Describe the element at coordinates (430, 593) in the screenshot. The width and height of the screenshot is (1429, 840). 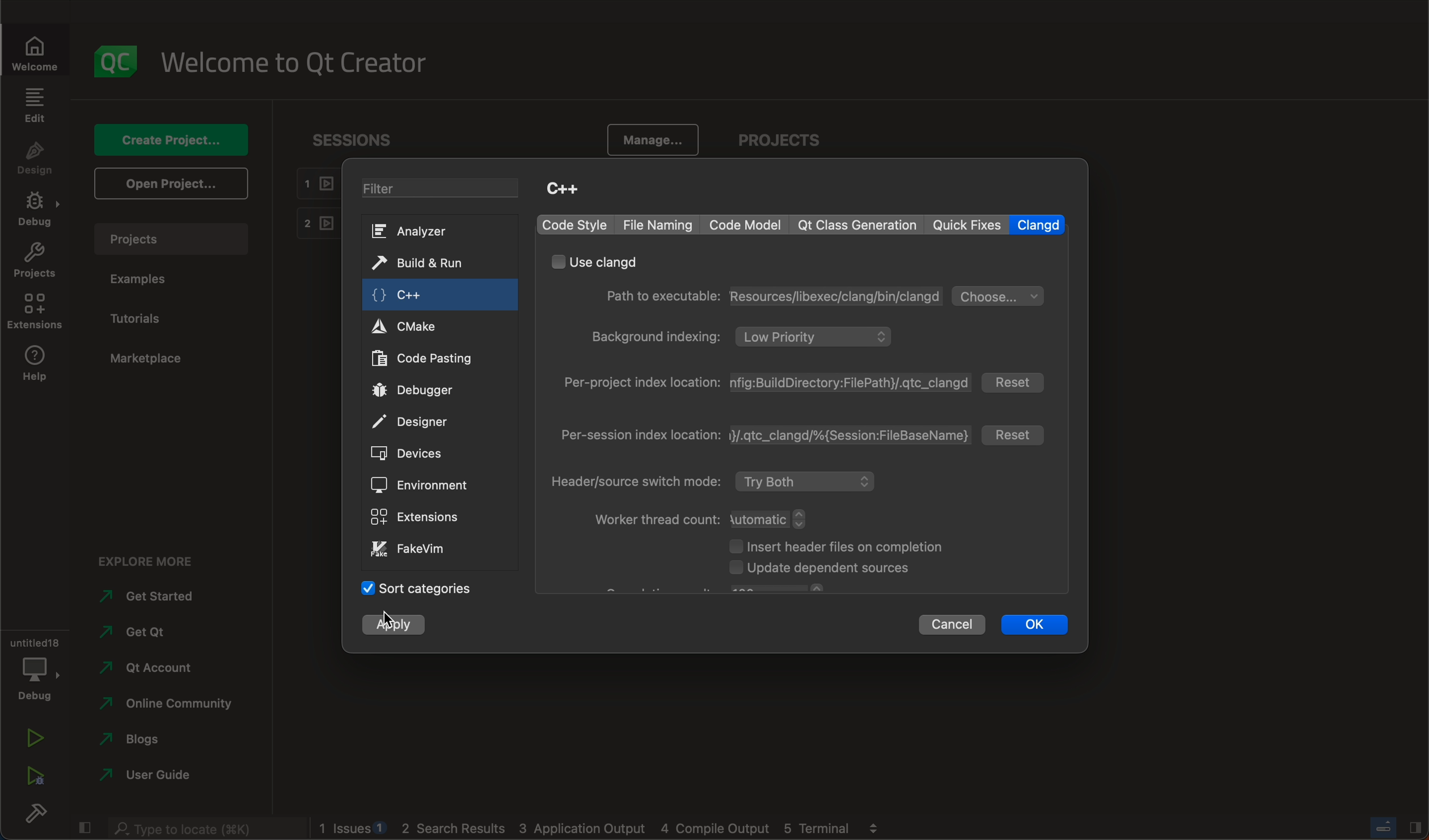
I see `categories` at that location.